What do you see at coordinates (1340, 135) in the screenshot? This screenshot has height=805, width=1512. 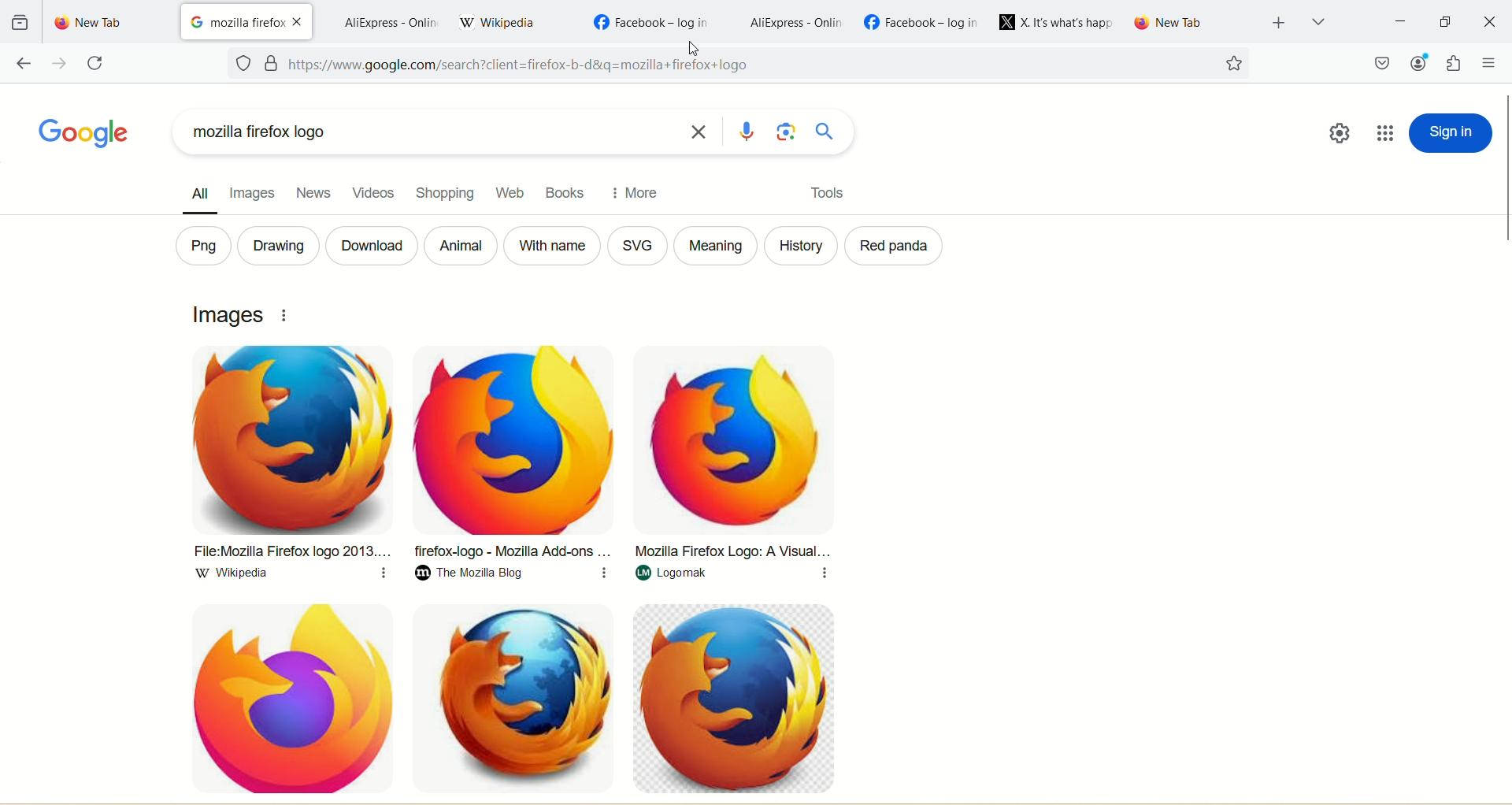 I see `quick settings` at bounding box center [1340, 135].